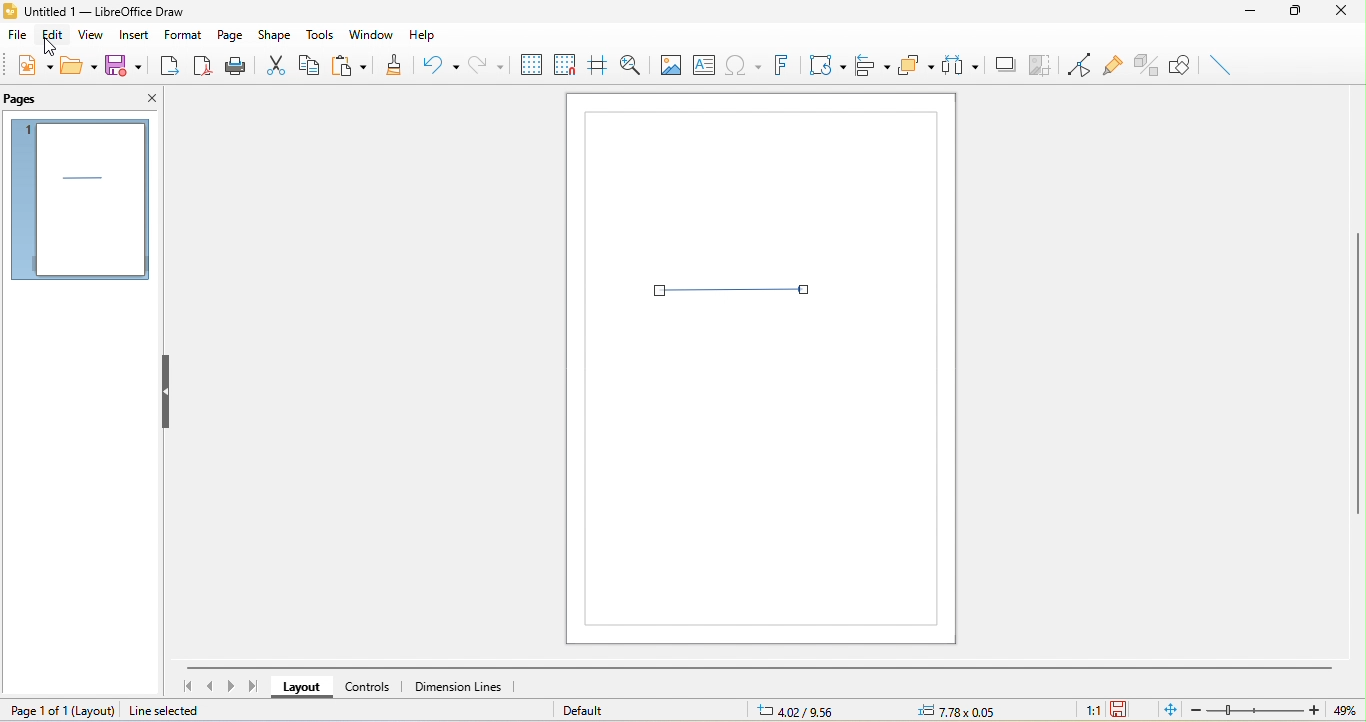 This screenshot has width=1366, height=722. I want to click on the document has not been modified since the last save, so click(1122, 710).